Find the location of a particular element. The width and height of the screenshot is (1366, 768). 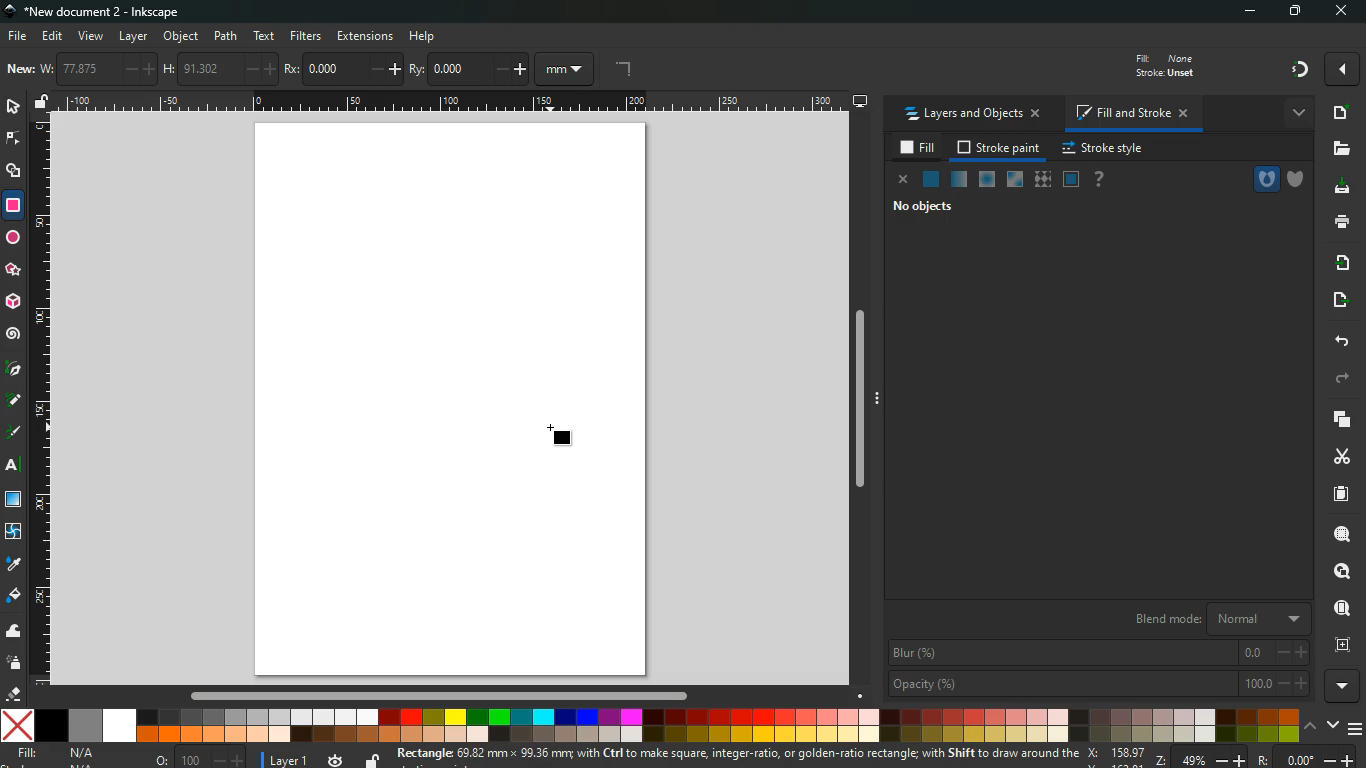

fill is located at coordinates (1177, 64).